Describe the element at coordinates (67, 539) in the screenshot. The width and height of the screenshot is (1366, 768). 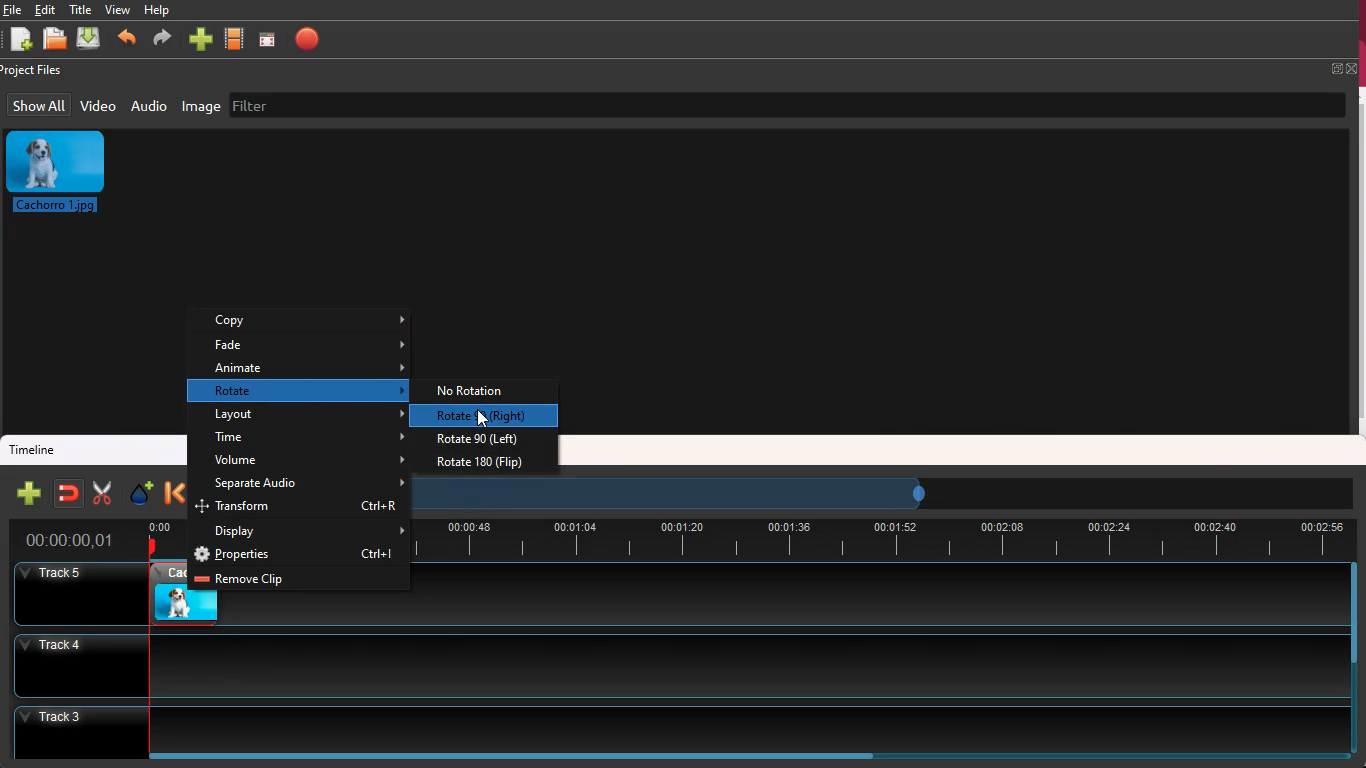
I see `time` at that location.